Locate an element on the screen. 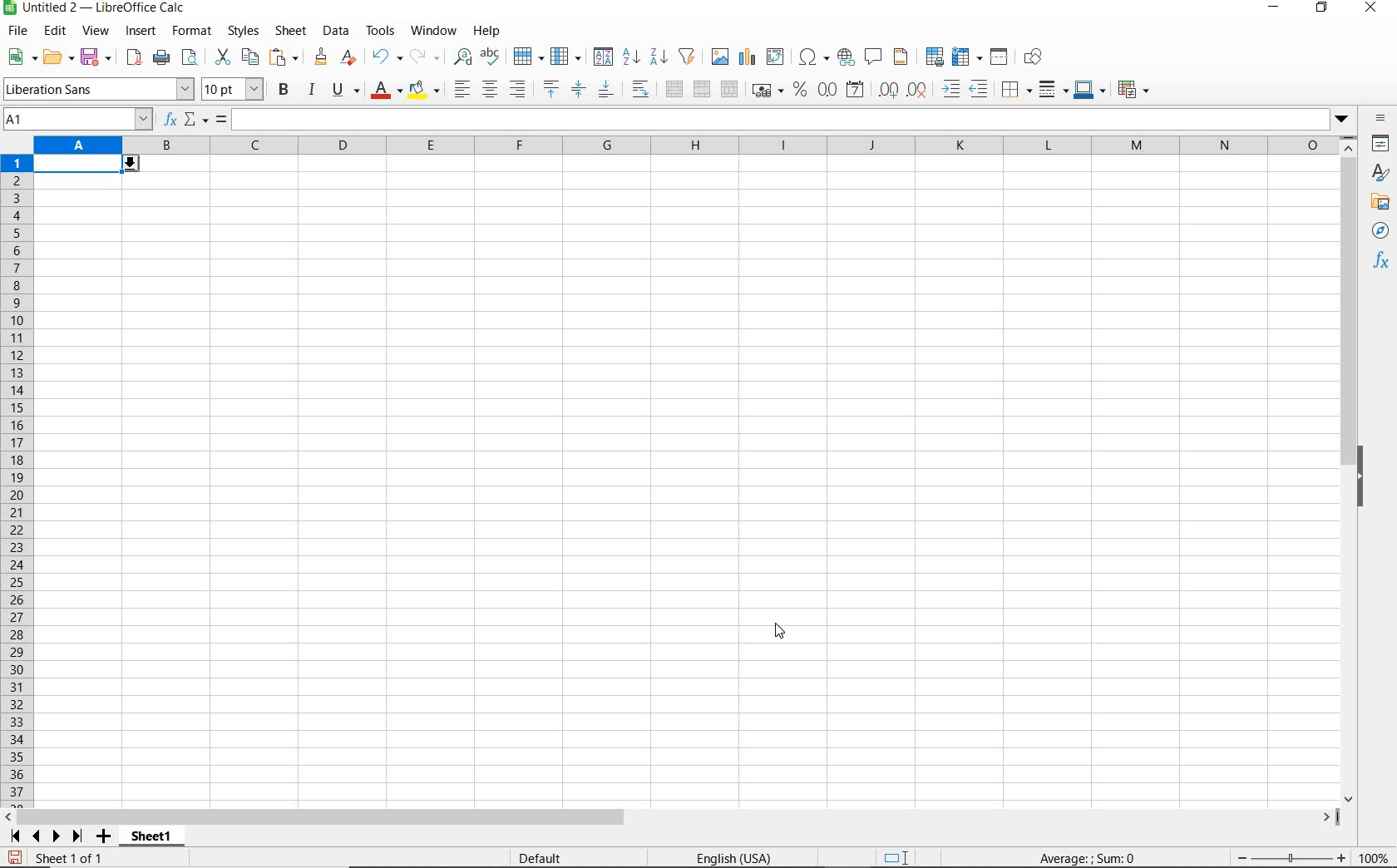  add decimal place is located at coordinates (889, 91).